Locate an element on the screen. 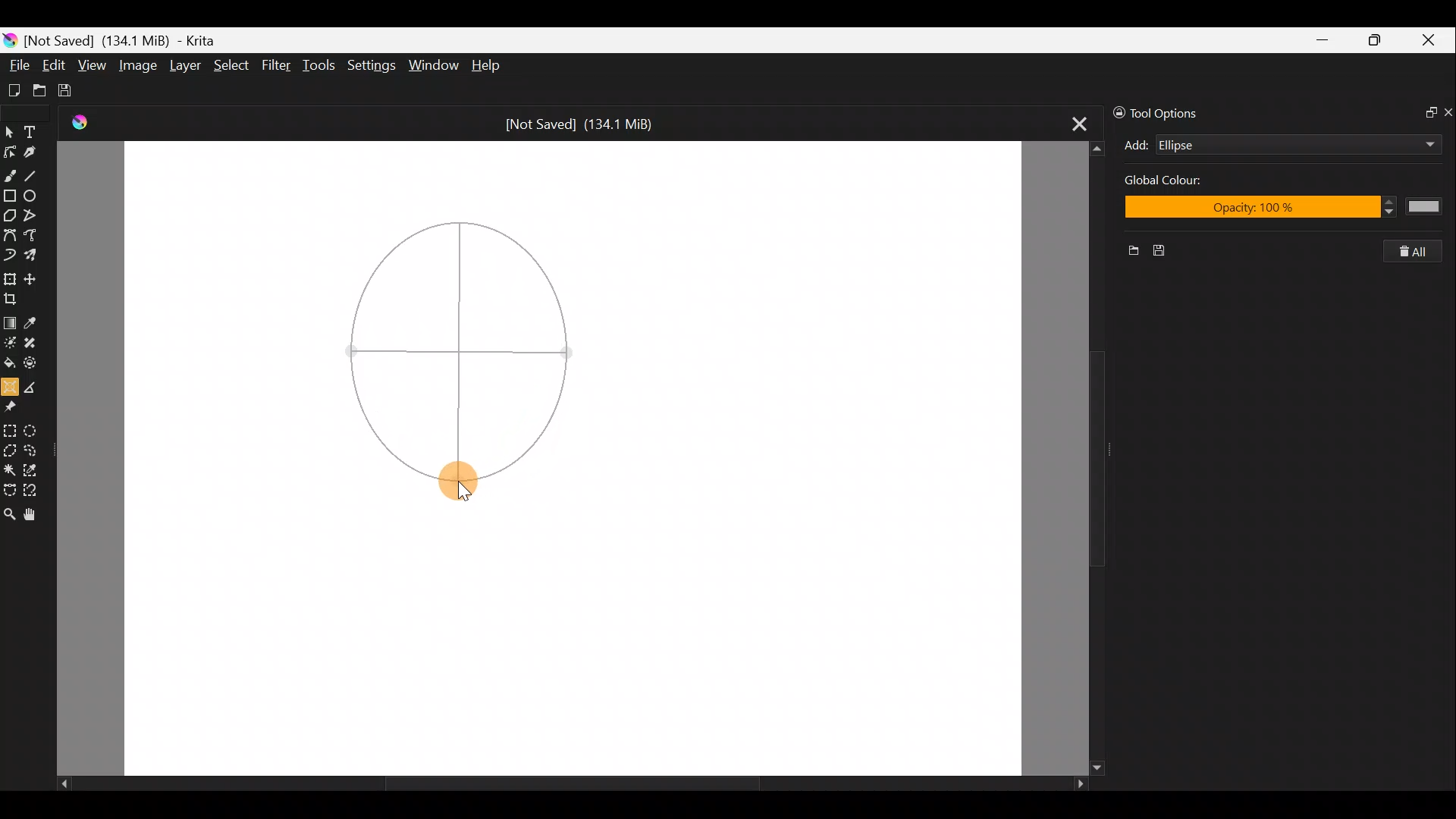 This screenshot has height=819, width=1456. Scroll bar is located at coordinates (1078, 457).